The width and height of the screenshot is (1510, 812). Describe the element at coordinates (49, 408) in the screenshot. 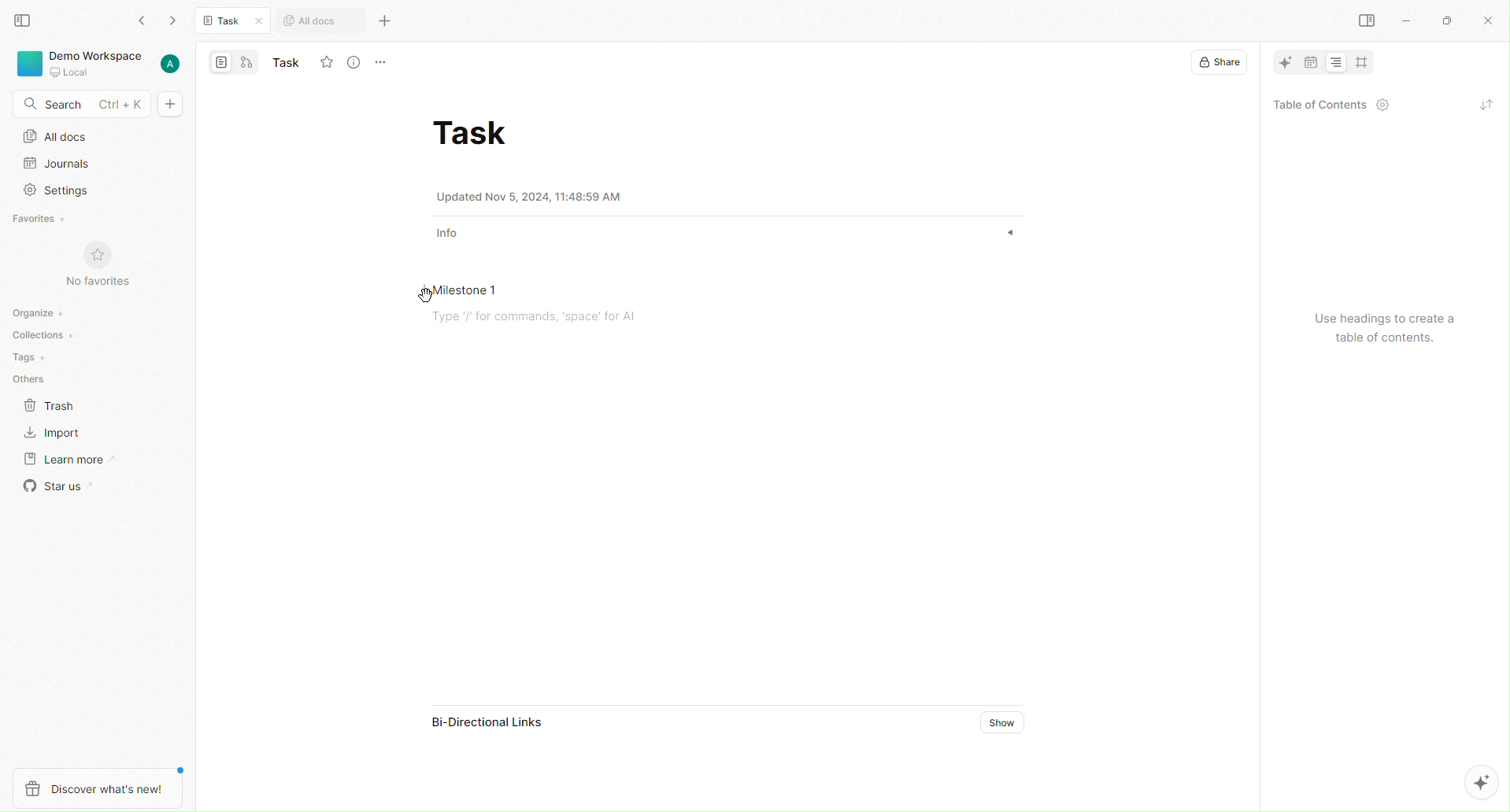

I see `Trash` at that location.